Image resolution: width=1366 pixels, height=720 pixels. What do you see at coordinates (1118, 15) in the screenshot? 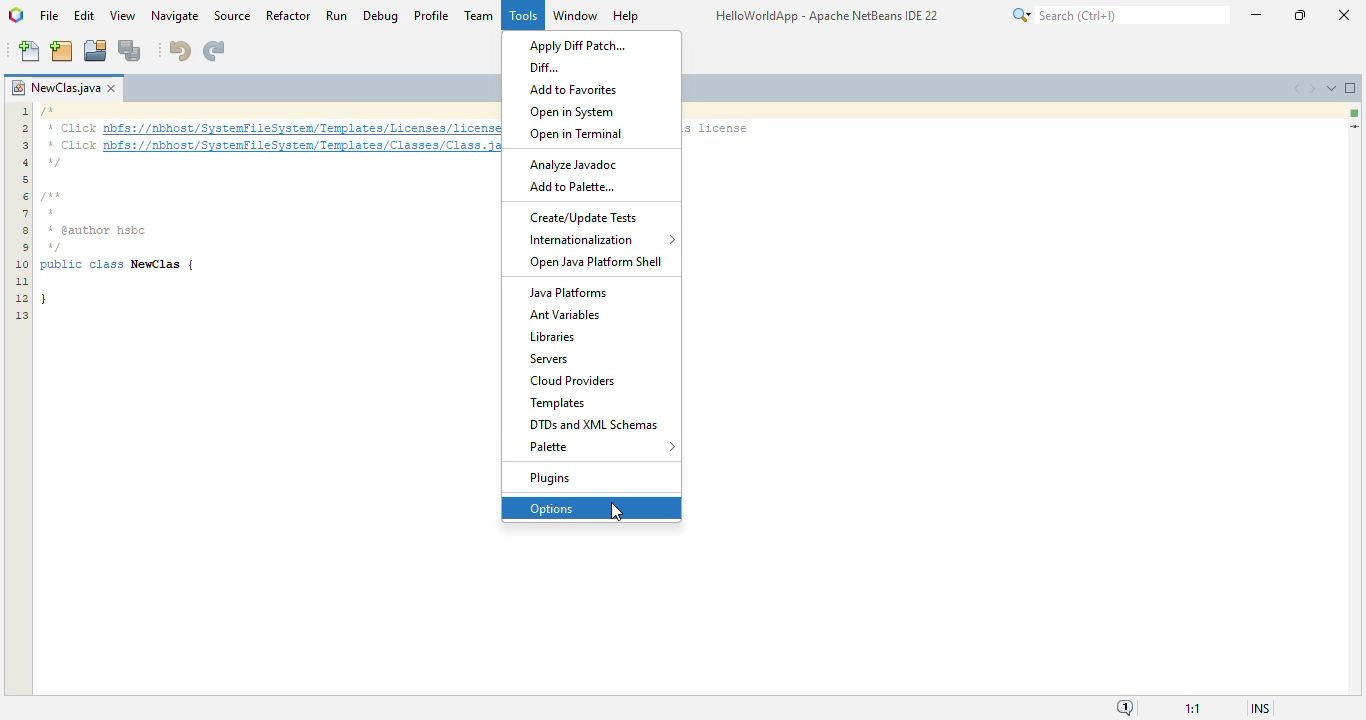
I see `search` at bounding box center [1118, 15].